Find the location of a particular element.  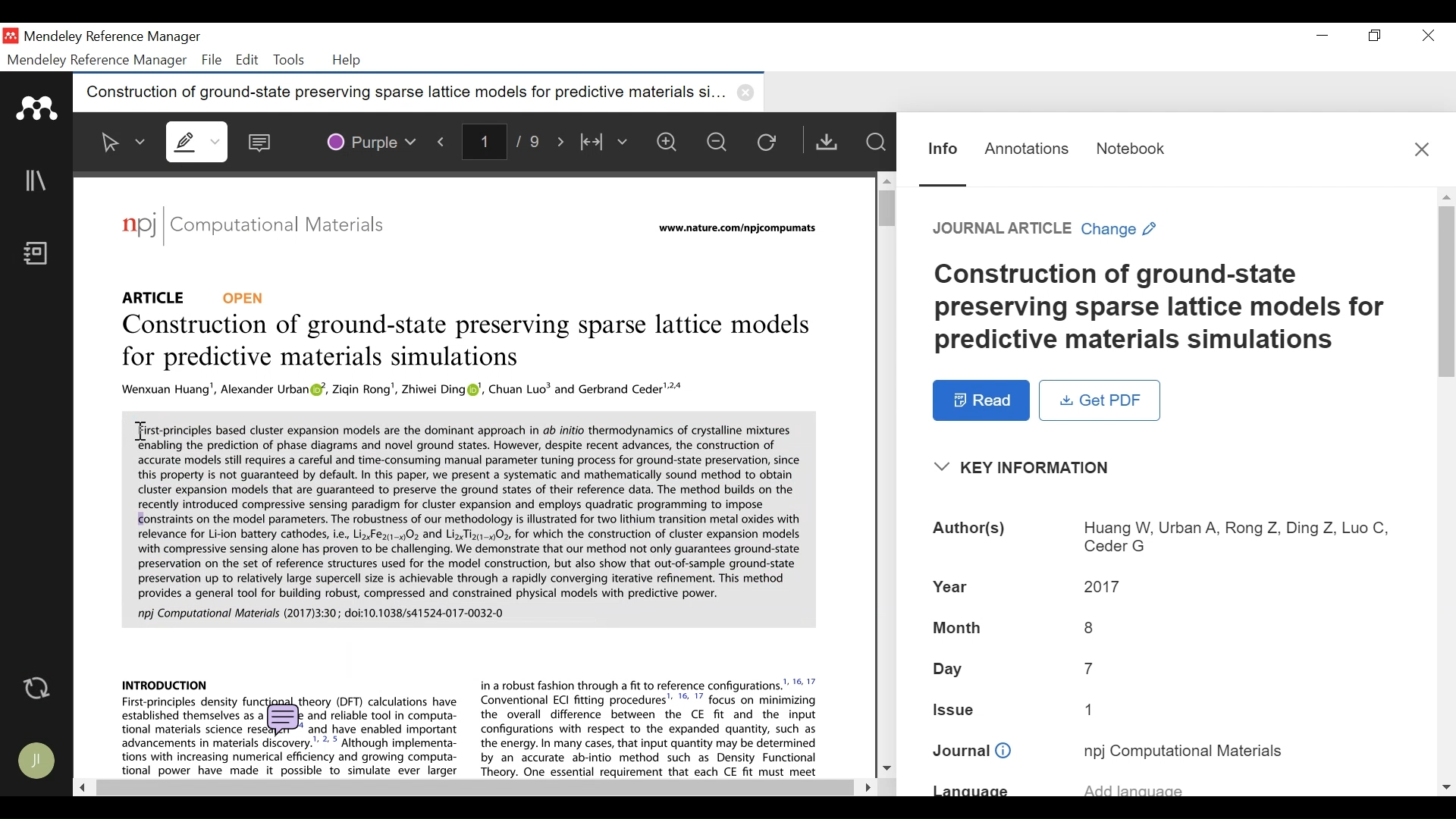

Notebook is located at coordinates (40, 255).